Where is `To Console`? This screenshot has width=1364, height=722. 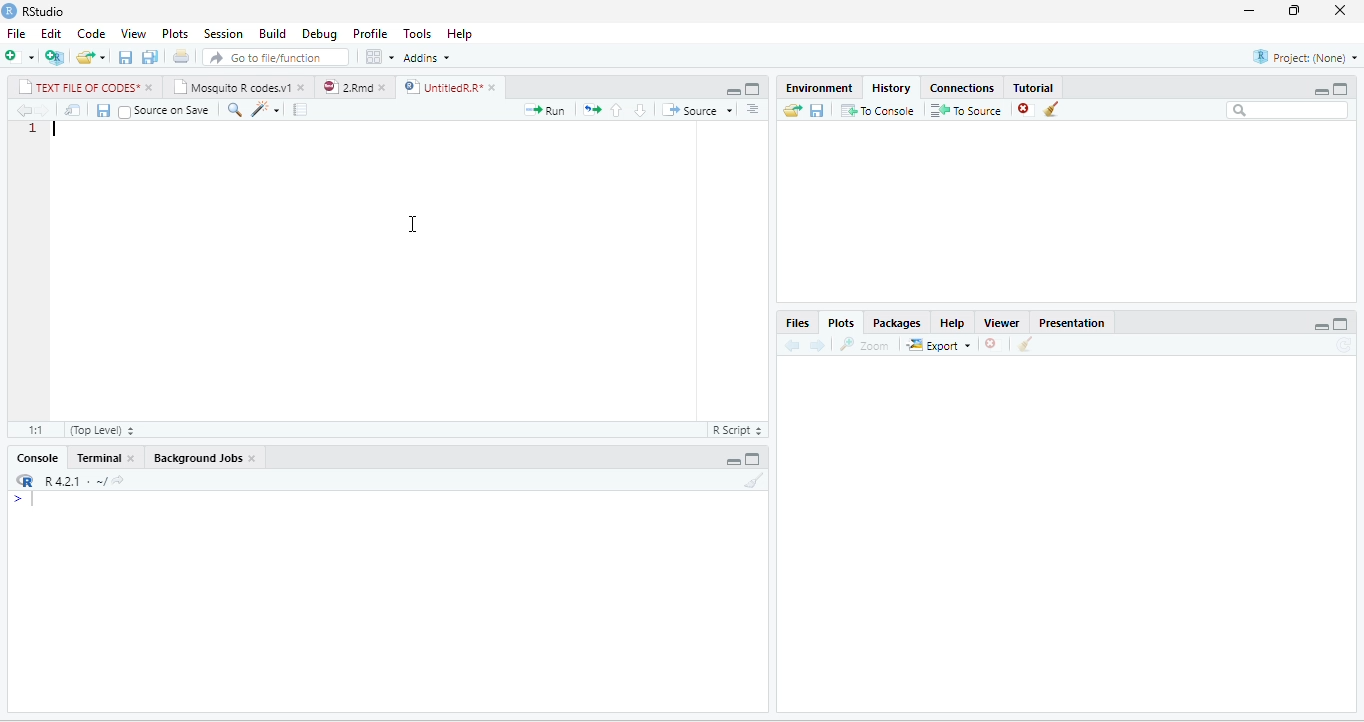
To Console is located at coordinates (877, 110).